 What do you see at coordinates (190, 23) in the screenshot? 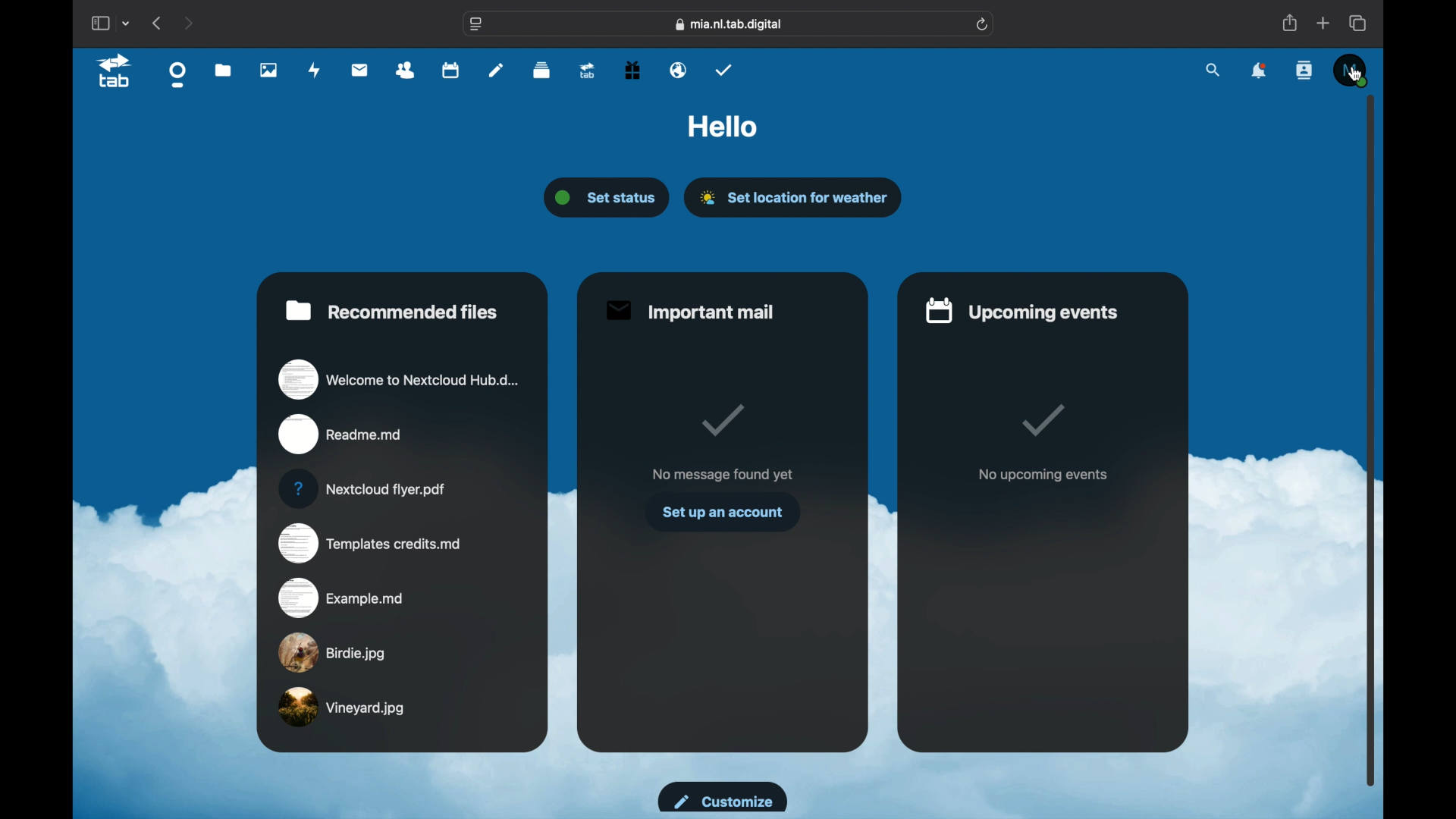
I see `next` at bounding box center [190, 23].